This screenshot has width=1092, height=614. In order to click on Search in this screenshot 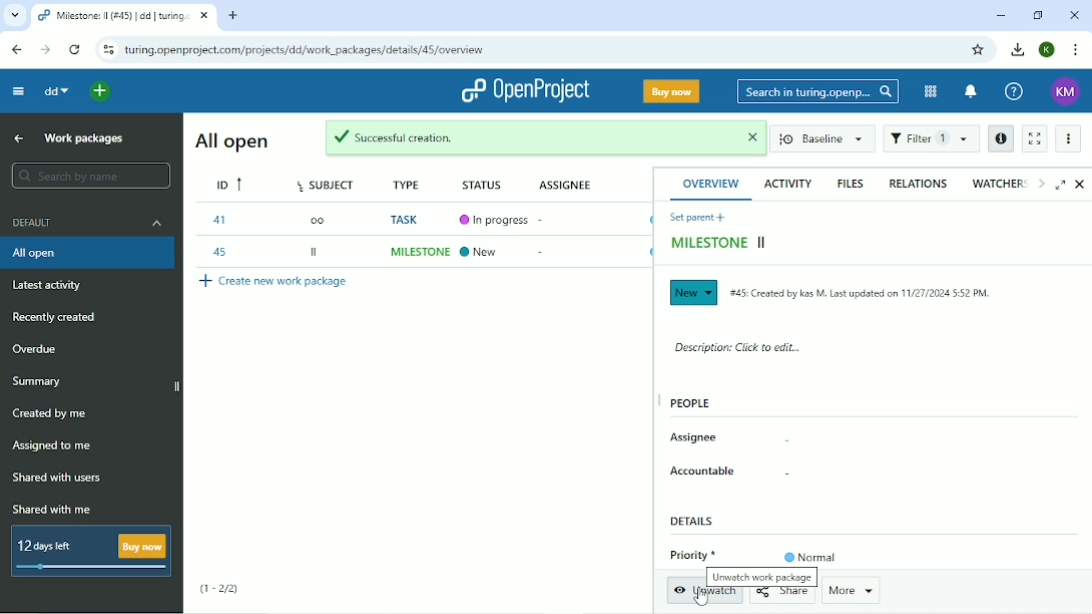, I will do `click(818, 93)`.